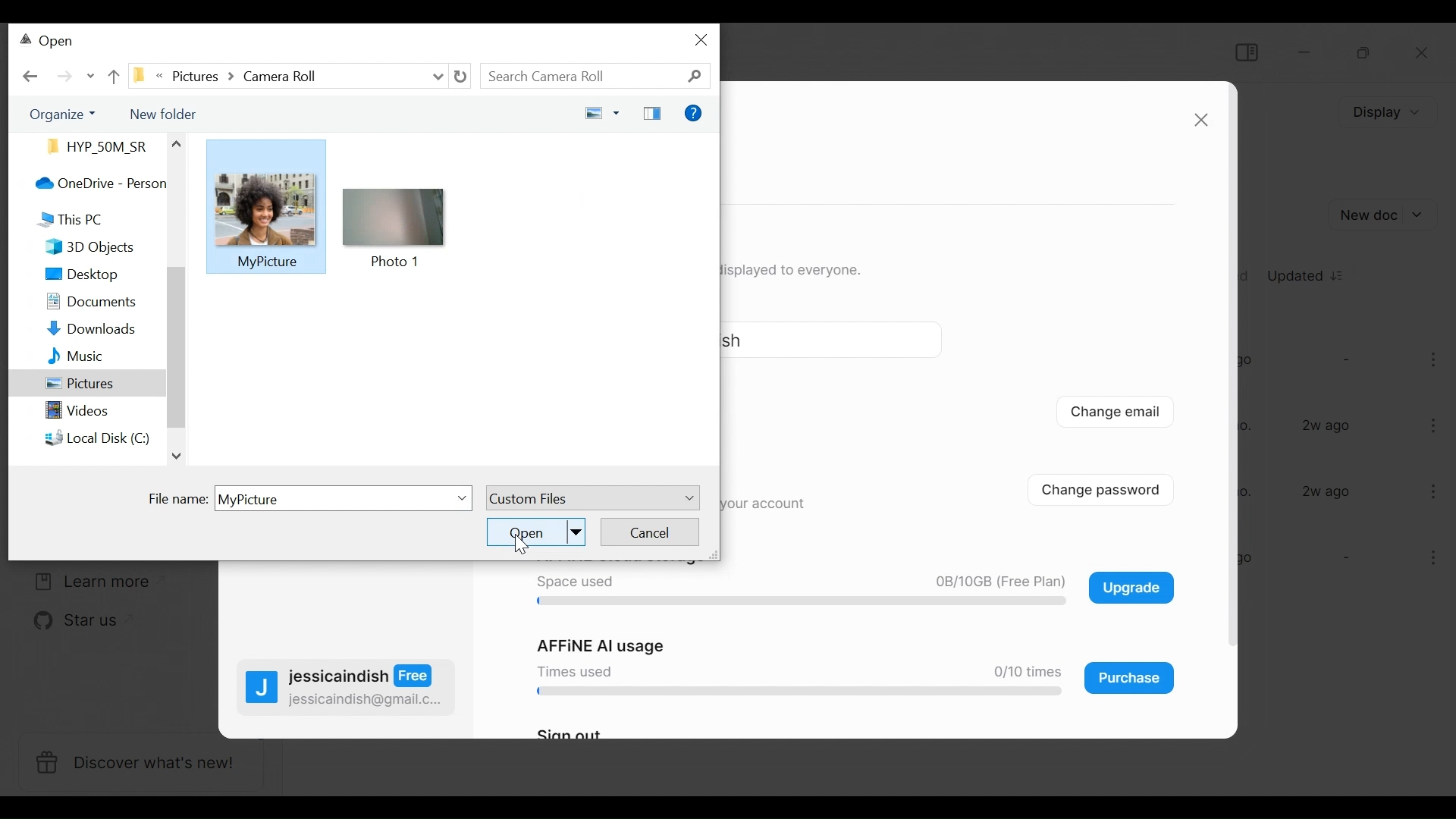  I want to click on 2w ago, so click(1329, 426).